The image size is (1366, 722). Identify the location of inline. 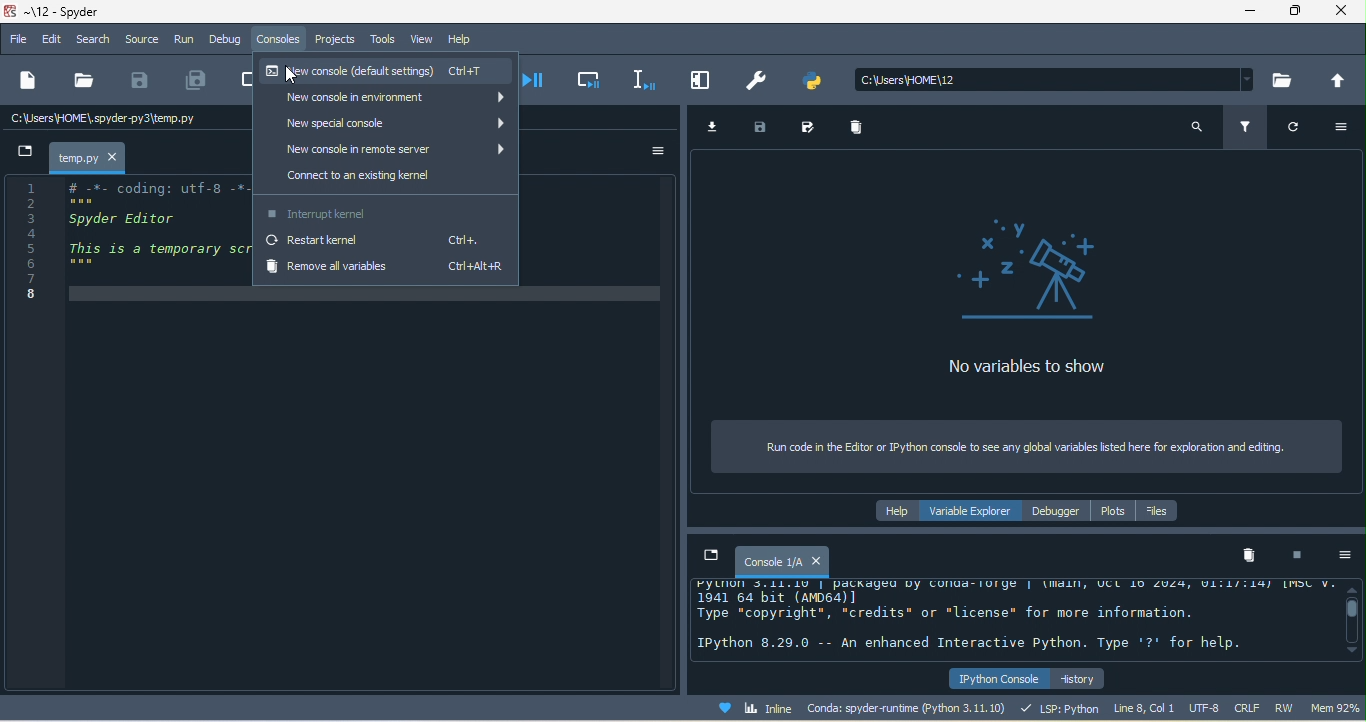
(760, 707).